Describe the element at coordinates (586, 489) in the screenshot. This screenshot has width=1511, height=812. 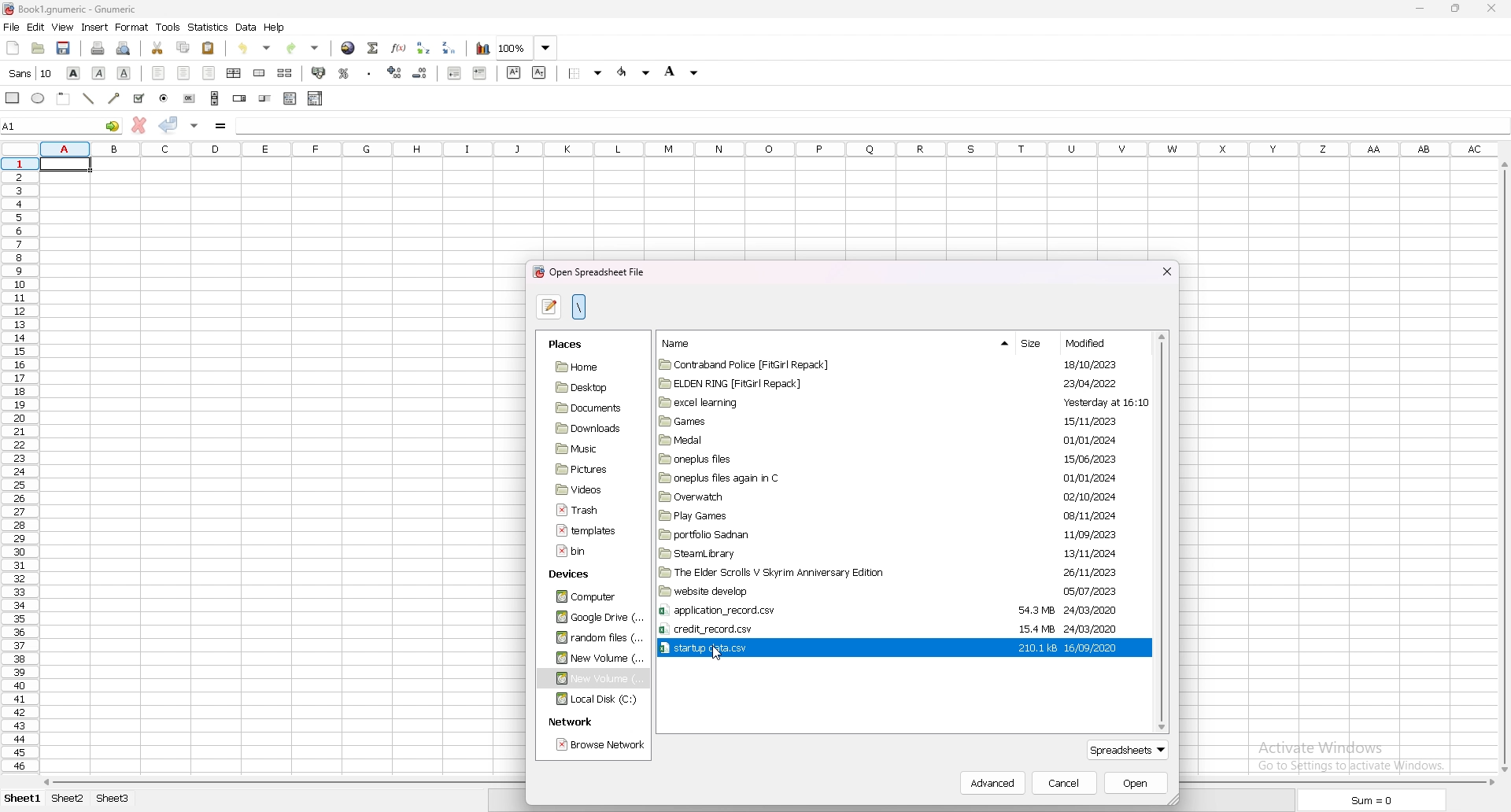
I see `folder` at that location.